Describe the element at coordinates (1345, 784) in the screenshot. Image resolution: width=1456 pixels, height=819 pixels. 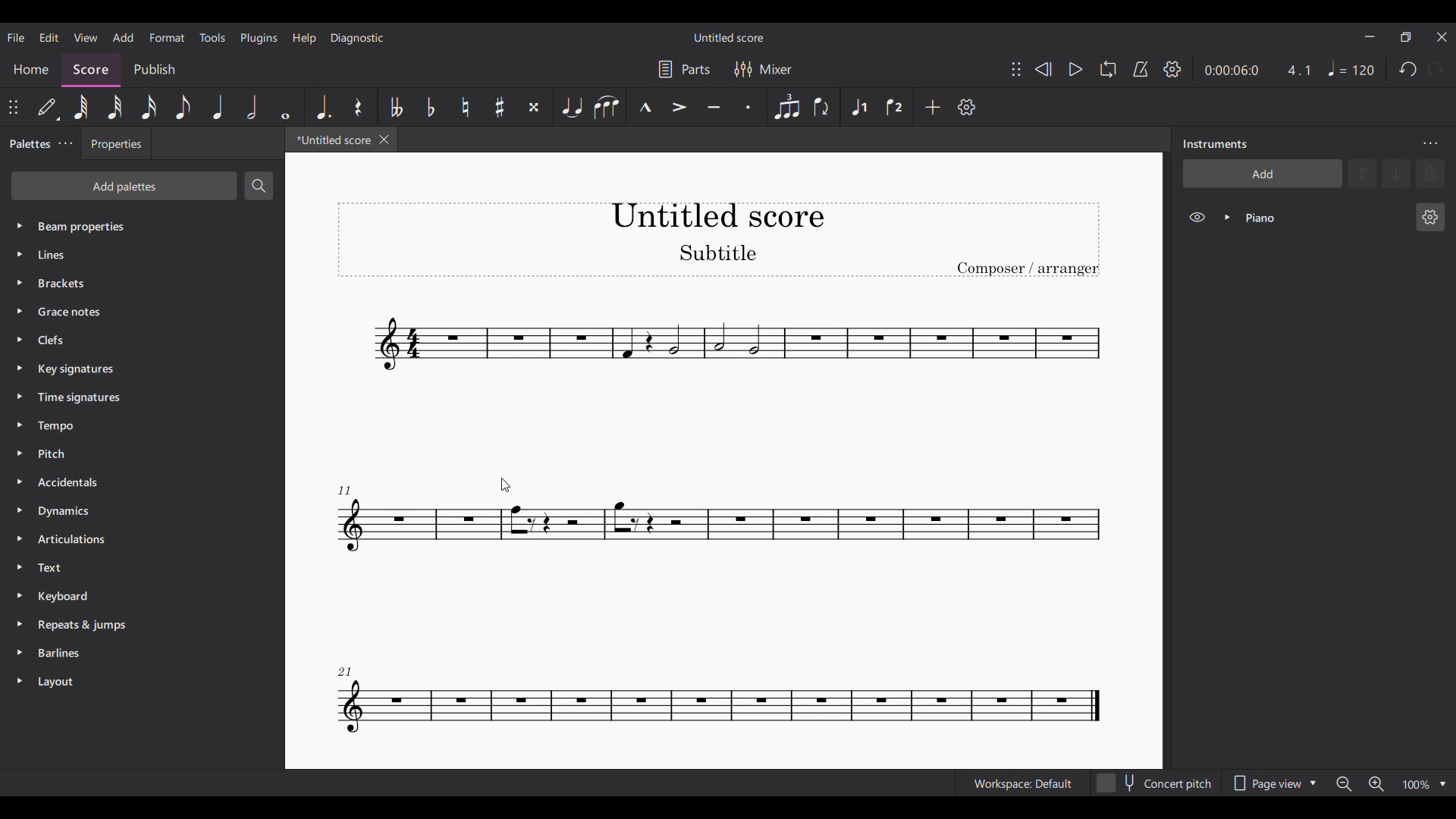
I see `Zoom out` at that location.